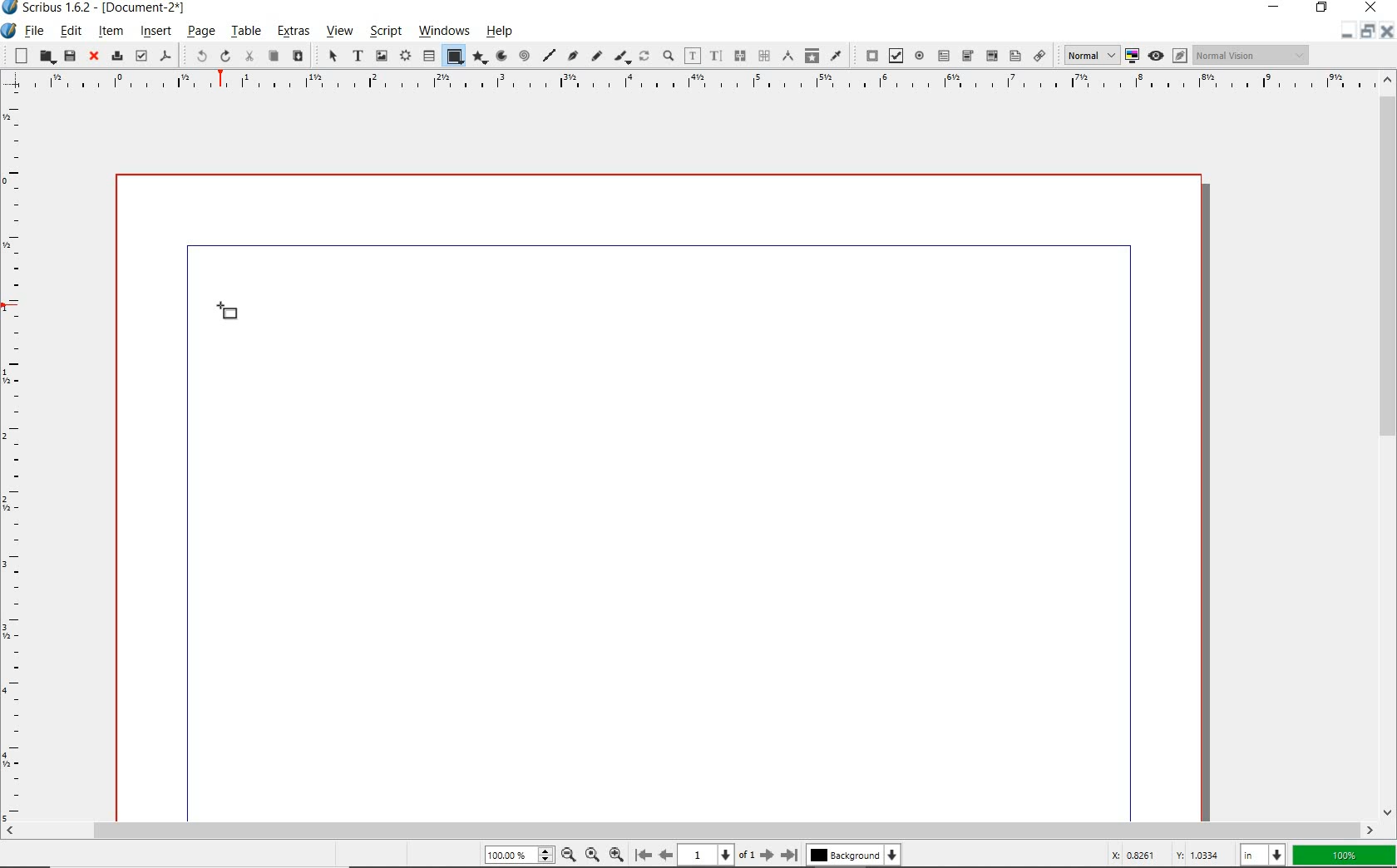 The width and height of the screenshot is (1397, 868). I want to click on pdf text field, so click(944, 56).